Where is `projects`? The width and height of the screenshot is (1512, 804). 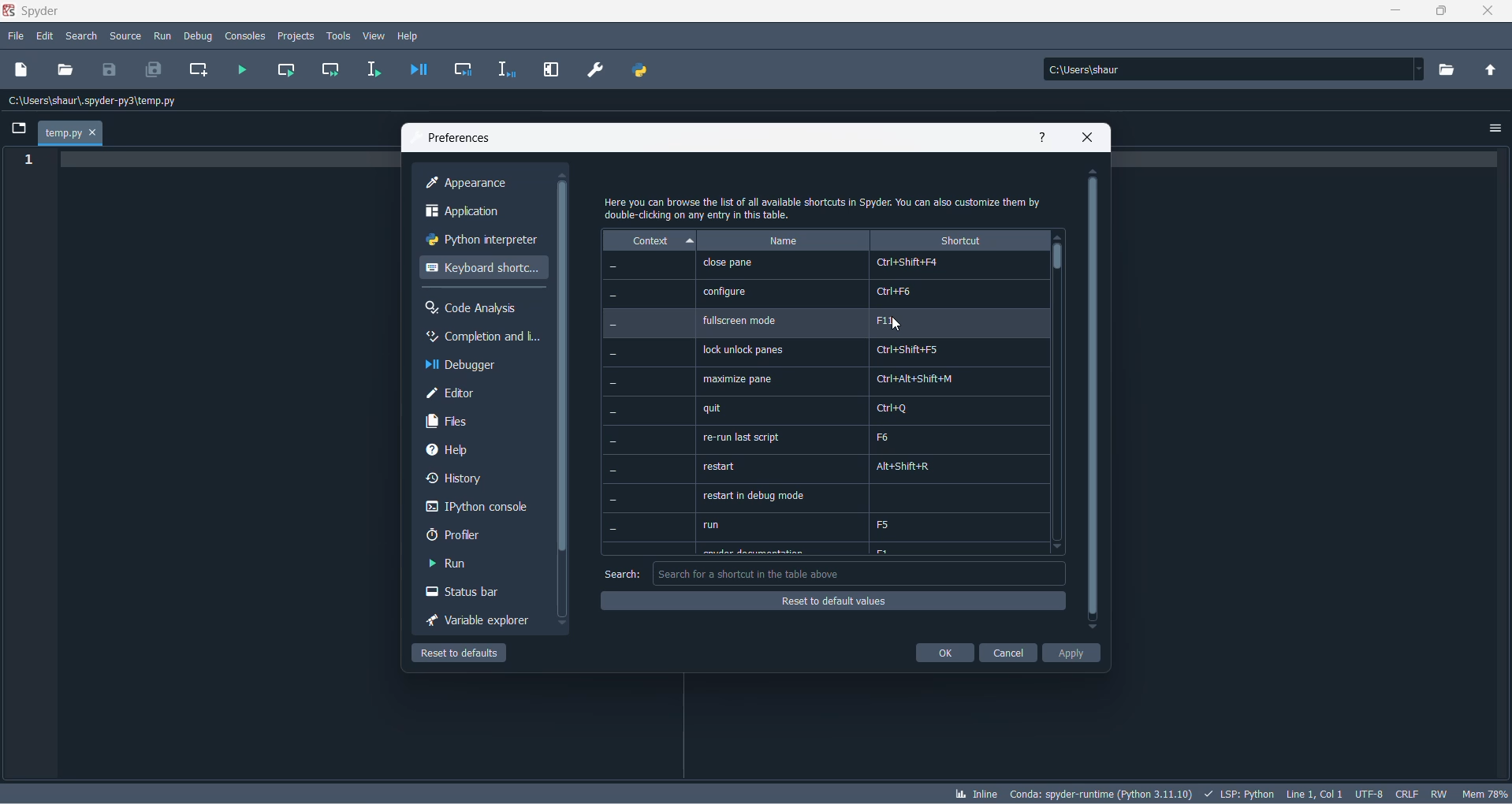 projects is located at coordinates (296, 35).